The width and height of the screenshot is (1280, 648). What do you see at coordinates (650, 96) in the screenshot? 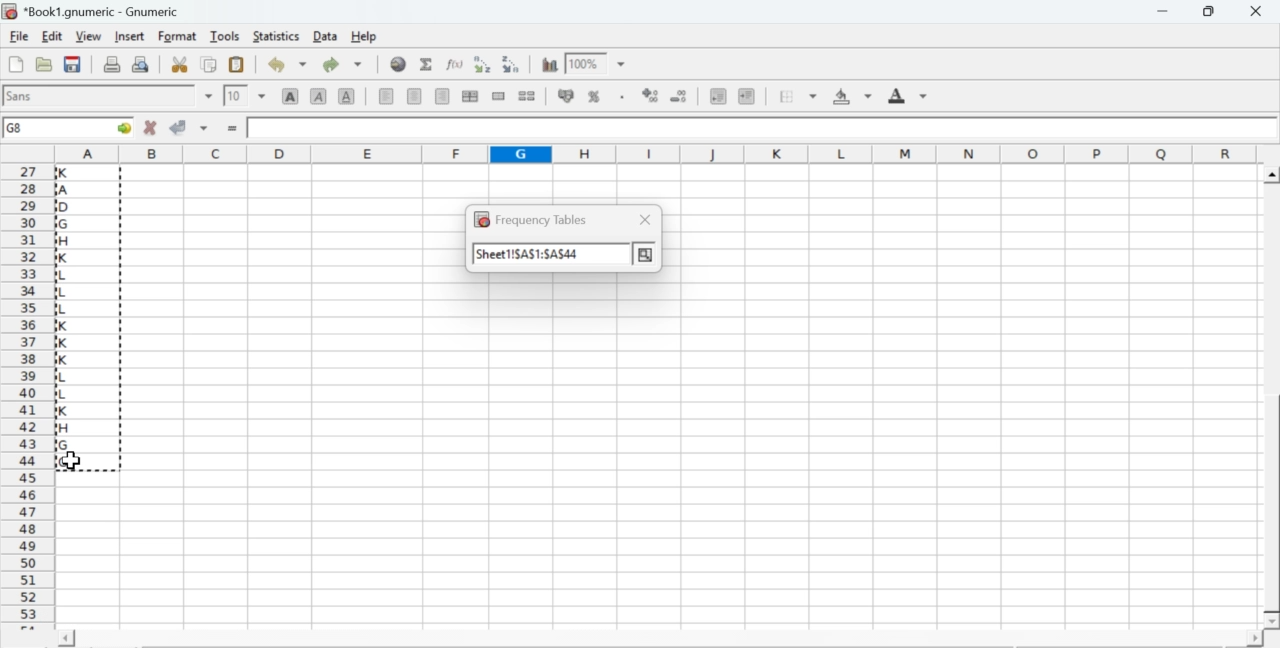
I see `decrease number of decimals displayed` at bounding box center [650, 96].